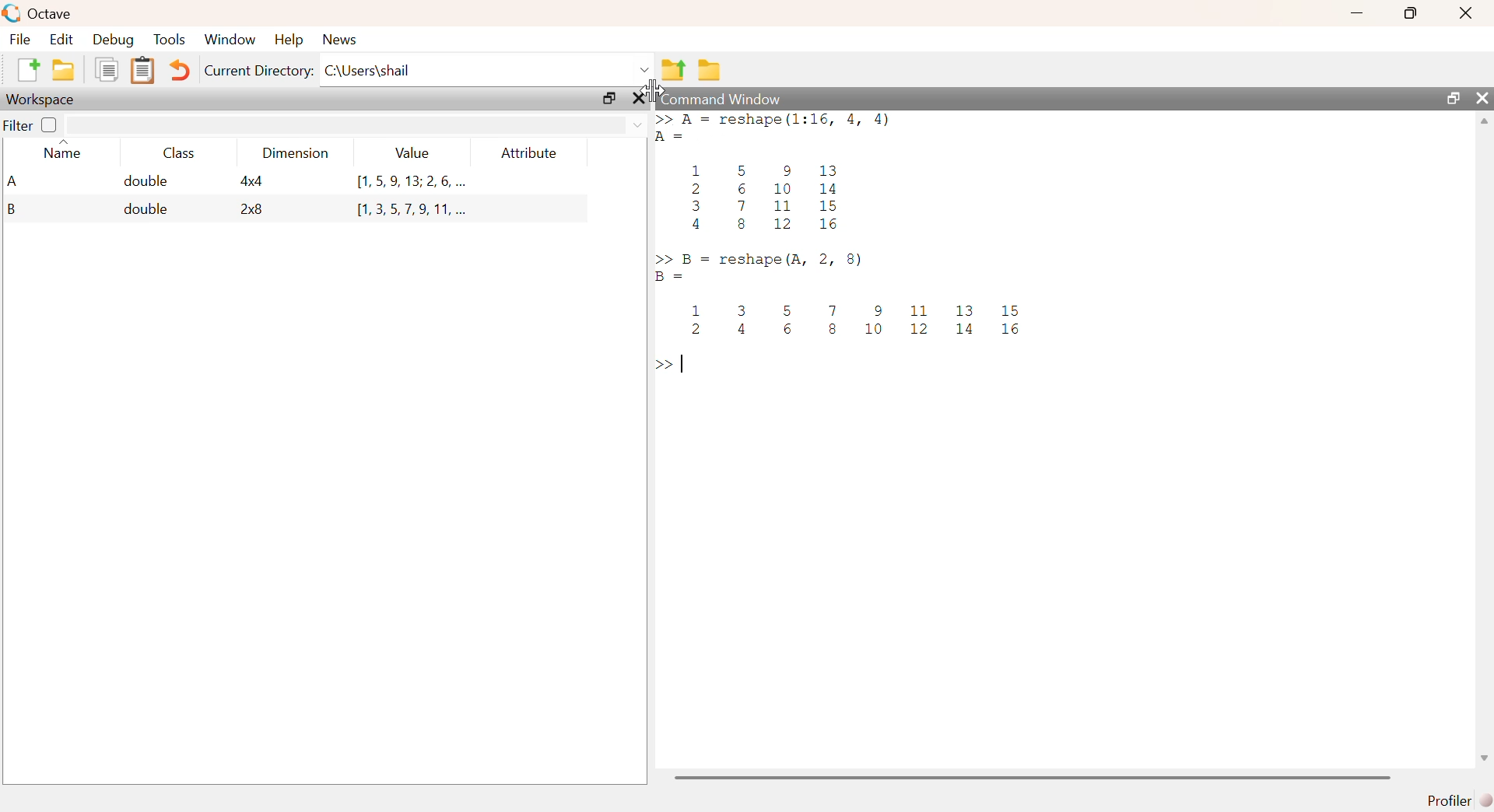  Describe the element at coordinates (170, 39) in the screenshot. I see `Tools` at that location.